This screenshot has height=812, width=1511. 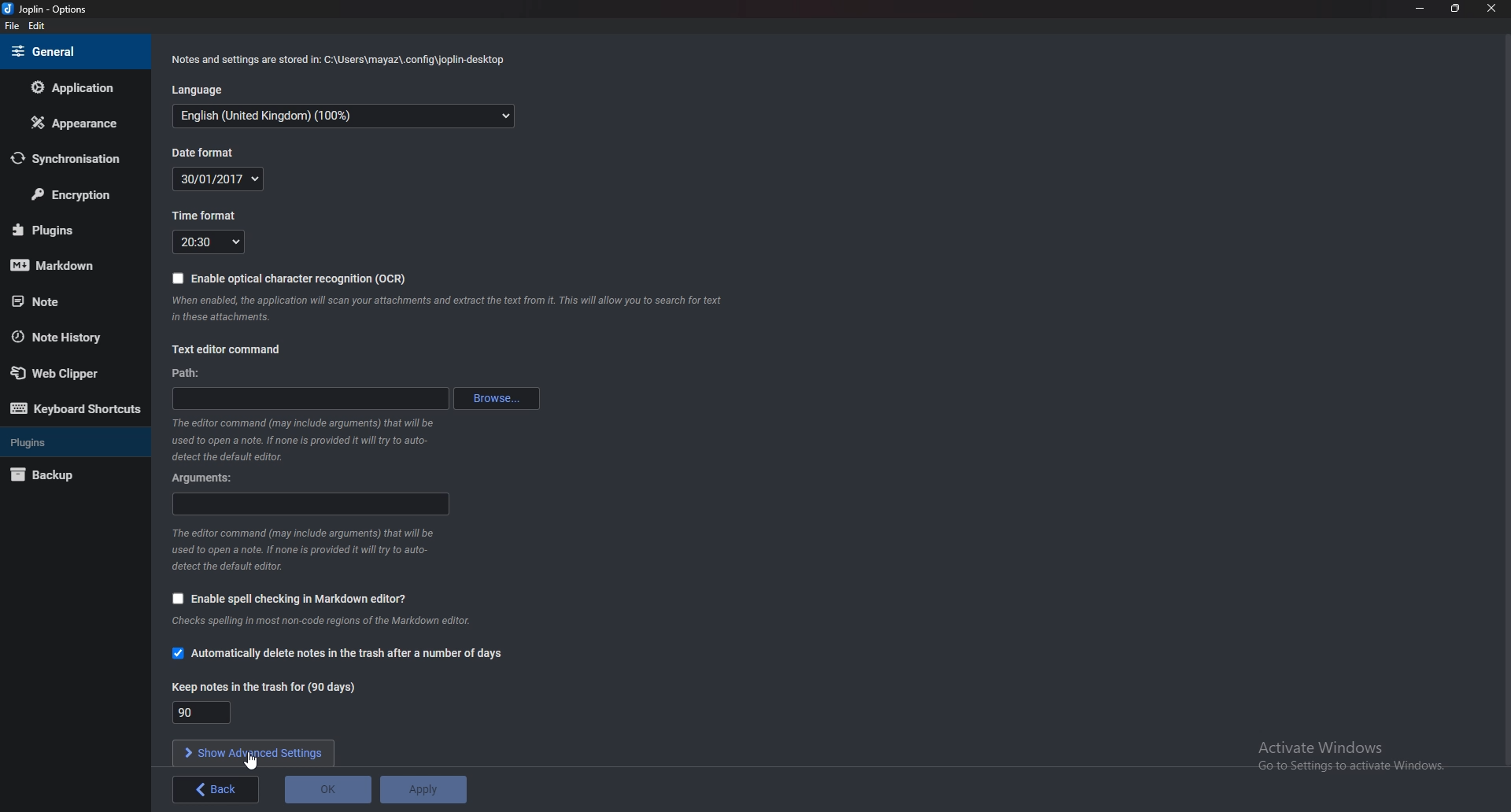 What do you see at coordinates (316, 624) in the screenshot?
I see `Info` at bounding box center [316, 624].